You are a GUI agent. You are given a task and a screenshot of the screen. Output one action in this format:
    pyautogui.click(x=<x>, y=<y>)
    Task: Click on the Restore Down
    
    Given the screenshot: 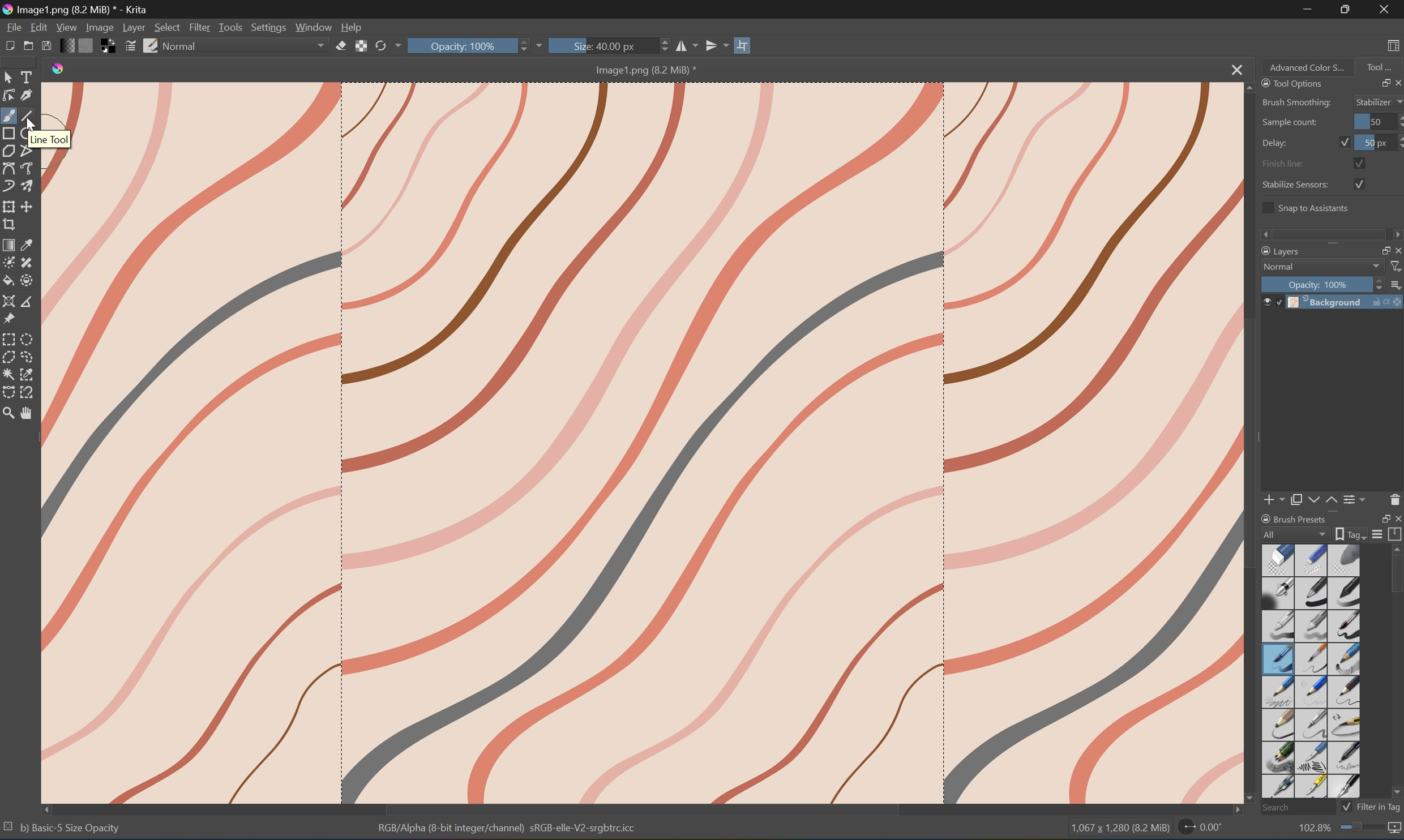 What is the action you would take?
    pyautogui.click(x=1379, y=83)
    